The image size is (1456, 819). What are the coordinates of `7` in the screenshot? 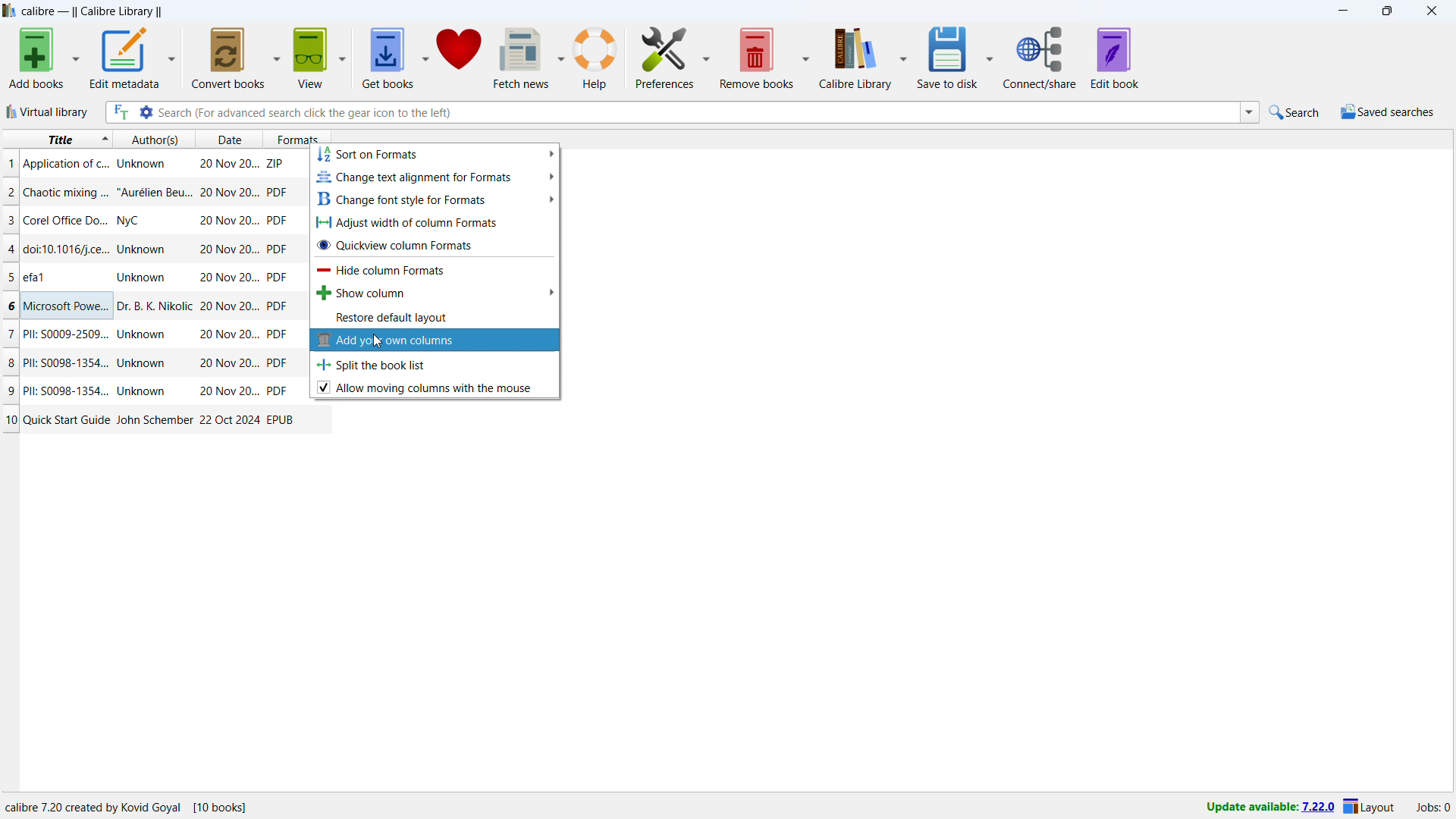 It's located at (9, 334).